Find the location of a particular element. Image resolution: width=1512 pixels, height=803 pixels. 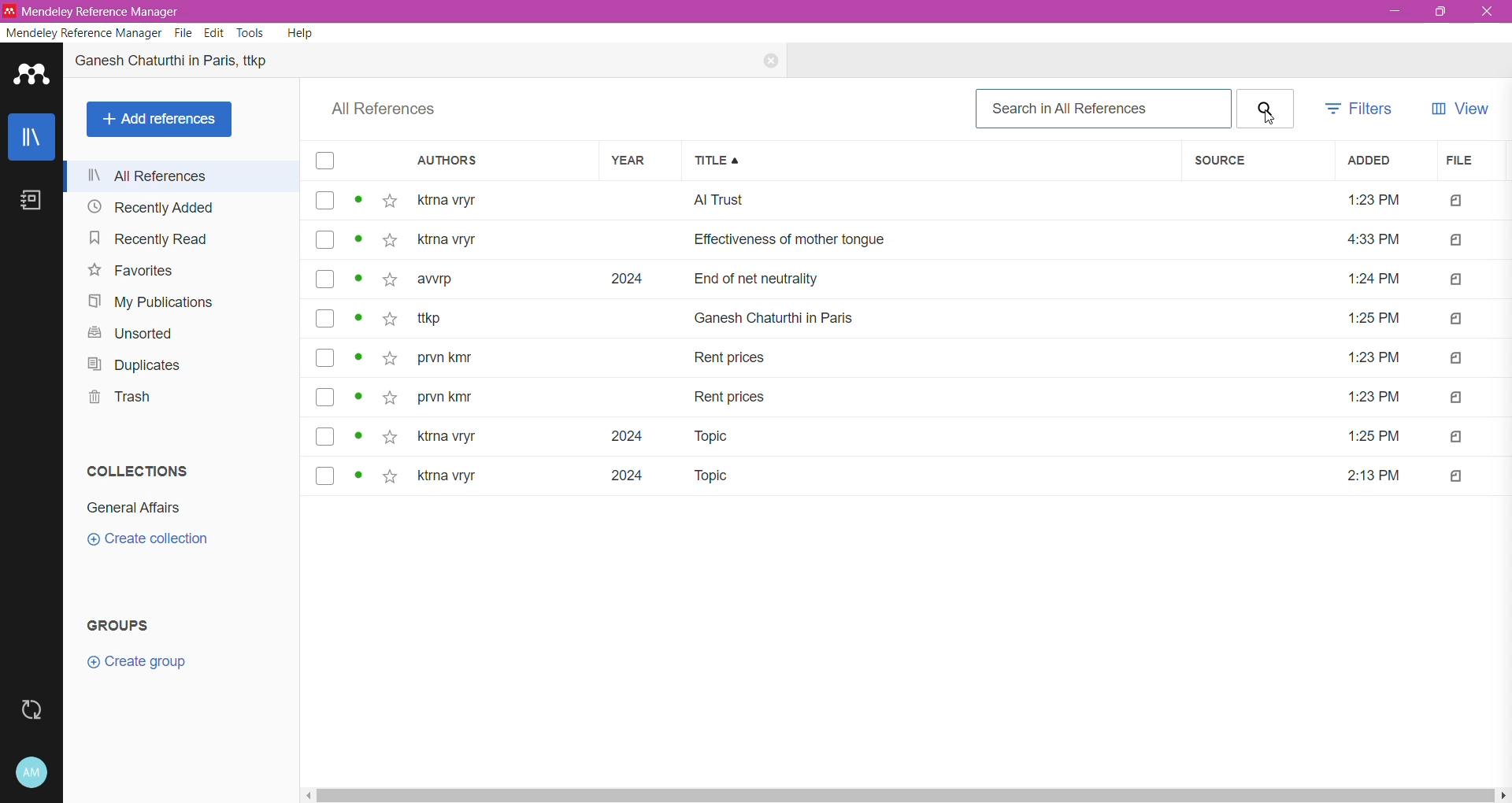

view status is located at coordinates (360, 240).